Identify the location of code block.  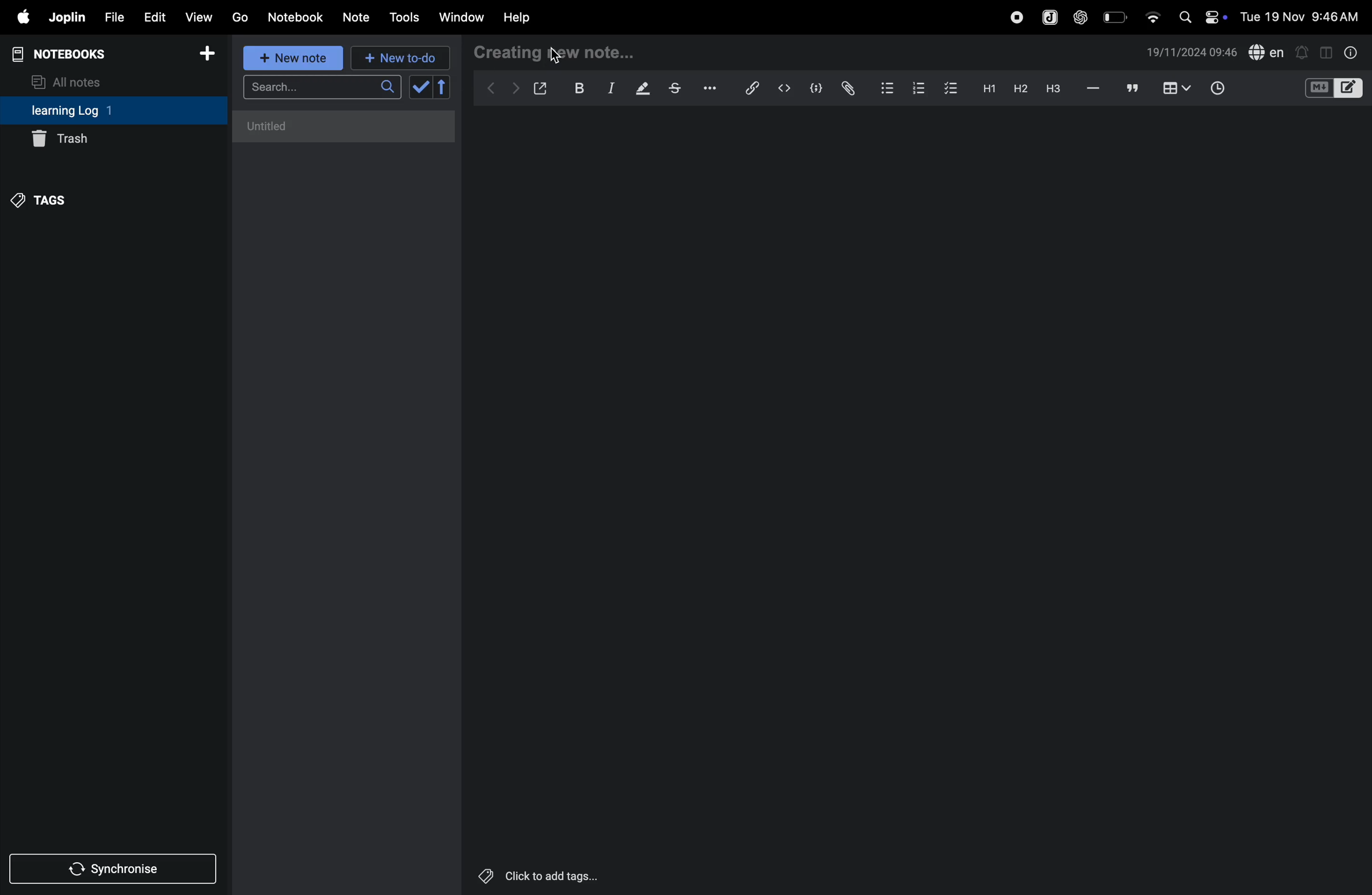
(1333, 89).